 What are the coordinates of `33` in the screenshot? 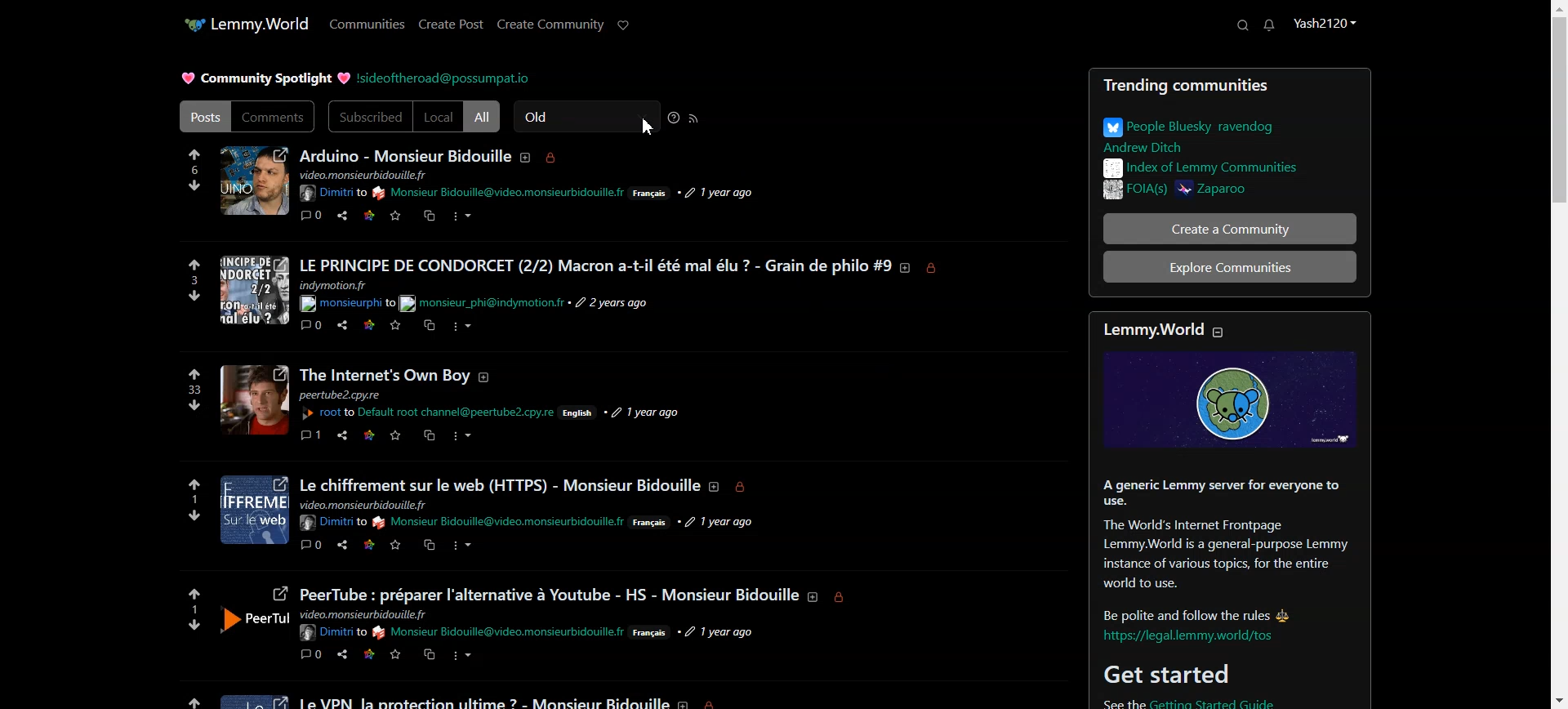 It's located at (197, 389).